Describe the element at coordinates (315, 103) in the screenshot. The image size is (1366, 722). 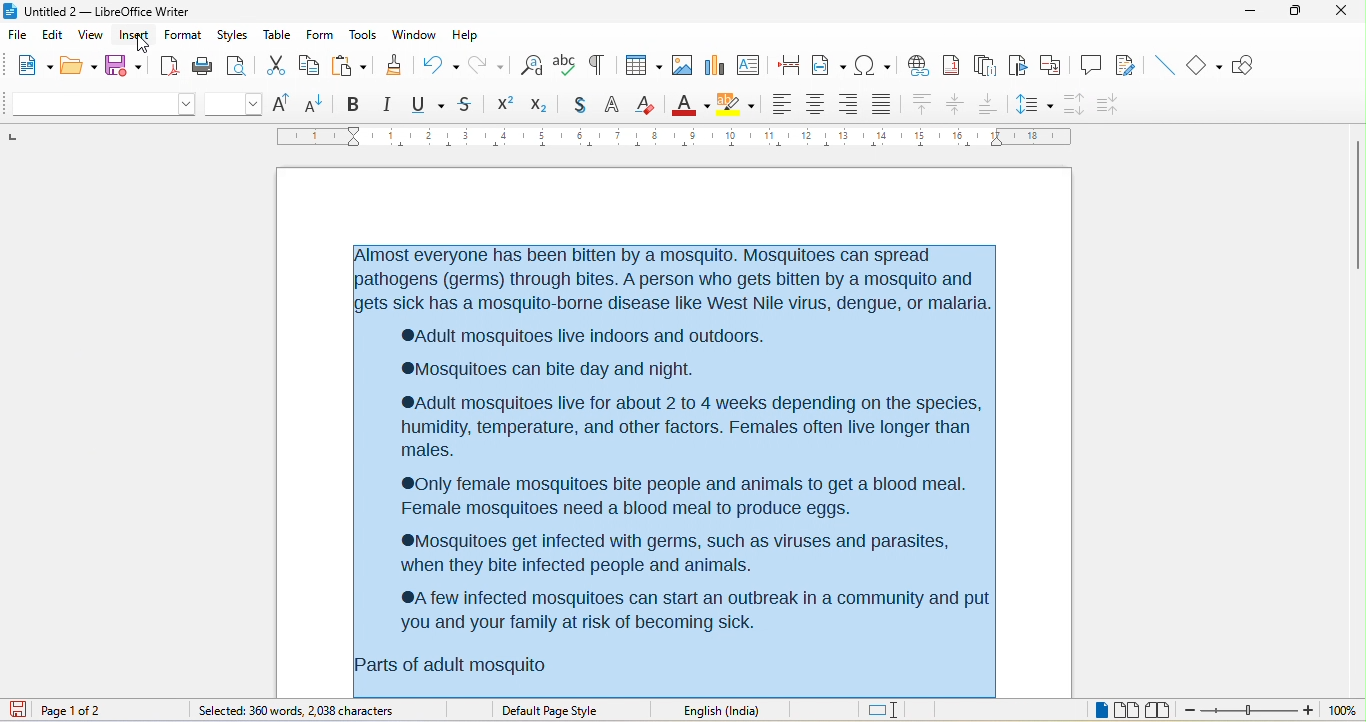
I see `decrease size` at that location.